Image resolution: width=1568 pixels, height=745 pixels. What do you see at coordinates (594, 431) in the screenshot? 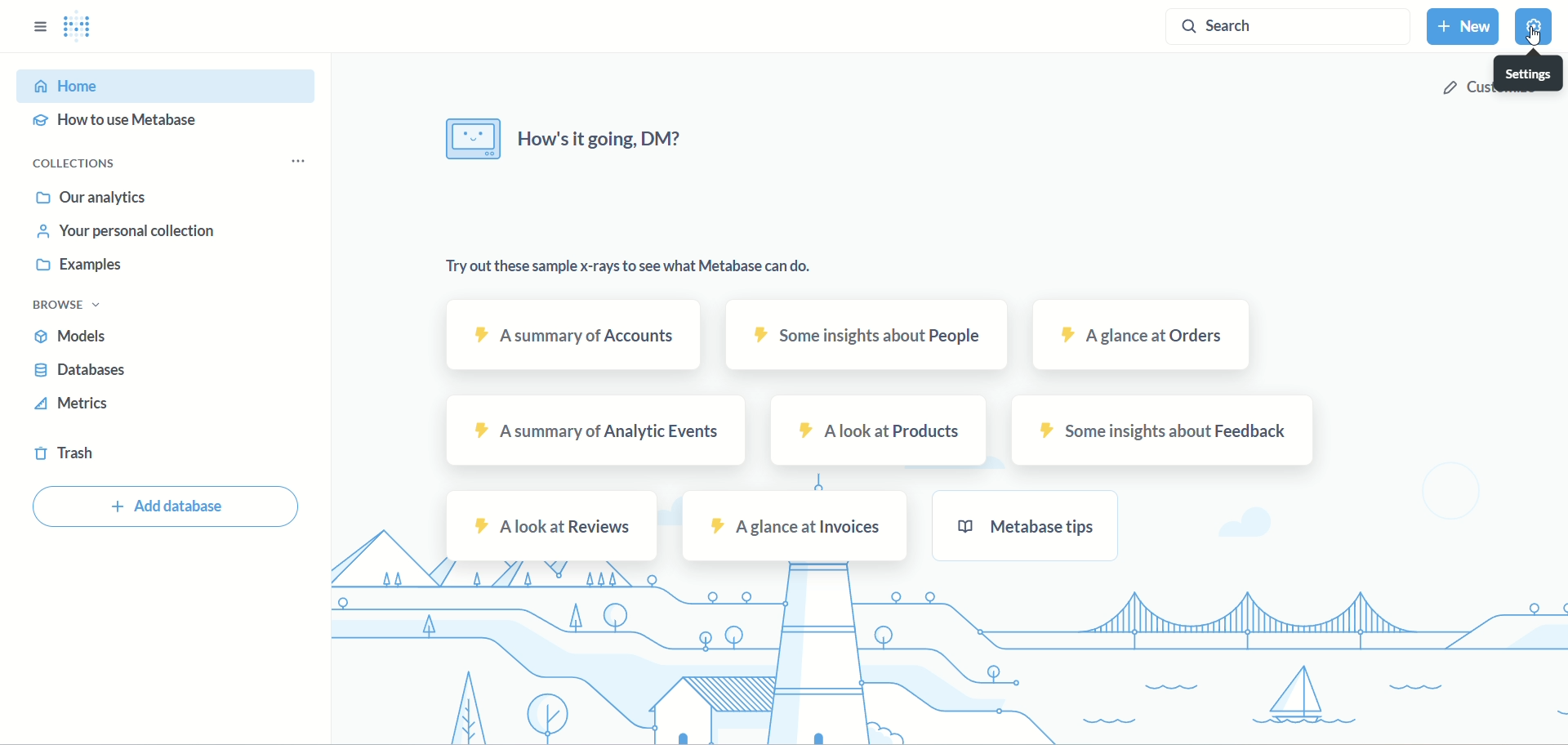
I see `analytic events` at bounding box center [594, 431].